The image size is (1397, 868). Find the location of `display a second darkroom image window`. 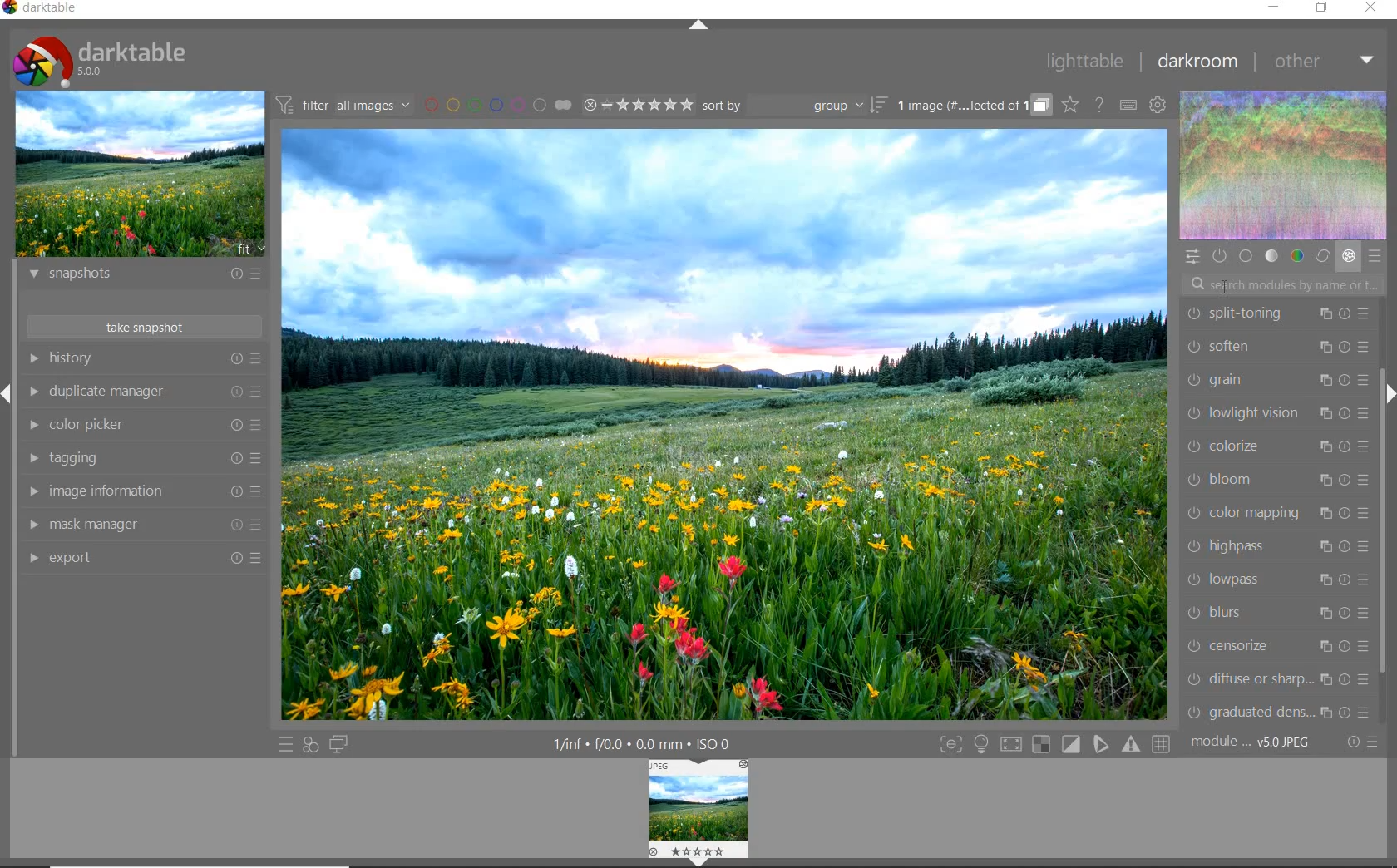

display a second darkroom image window is located at coordinates (338, 743).